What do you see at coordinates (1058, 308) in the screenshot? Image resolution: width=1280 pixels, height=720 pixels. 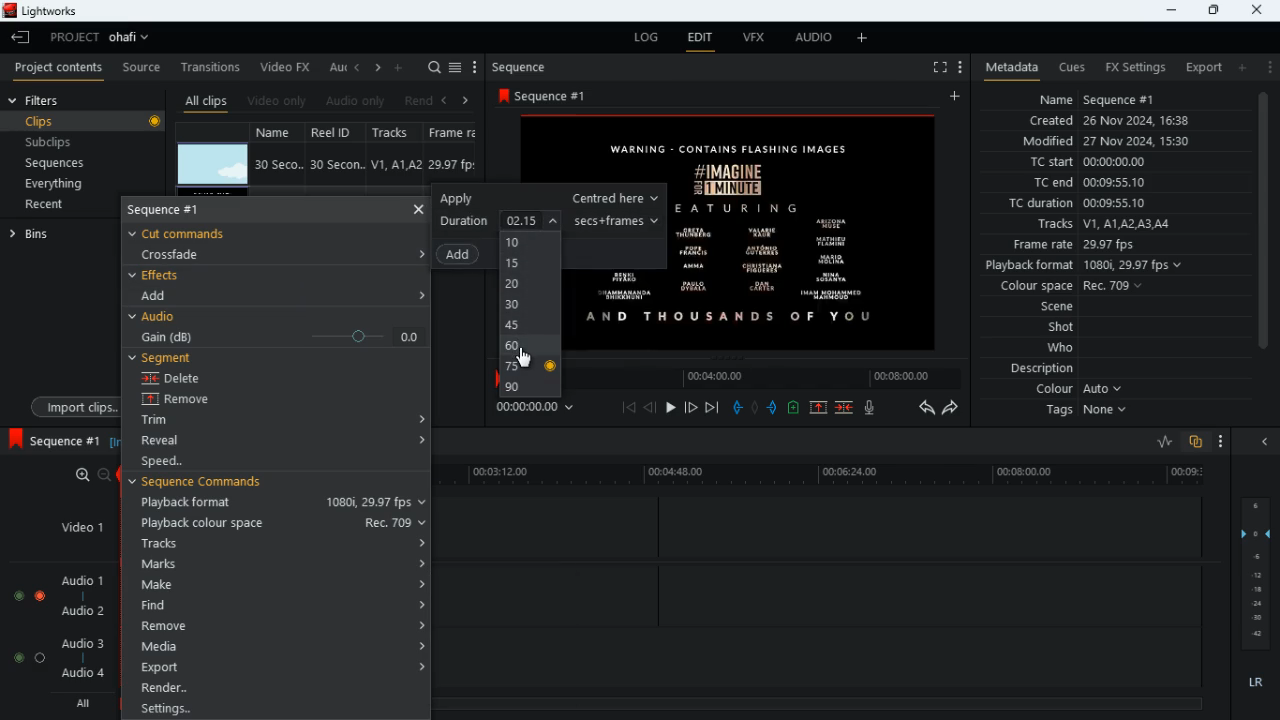 I see `scene` at bounding box center [1058, 308].